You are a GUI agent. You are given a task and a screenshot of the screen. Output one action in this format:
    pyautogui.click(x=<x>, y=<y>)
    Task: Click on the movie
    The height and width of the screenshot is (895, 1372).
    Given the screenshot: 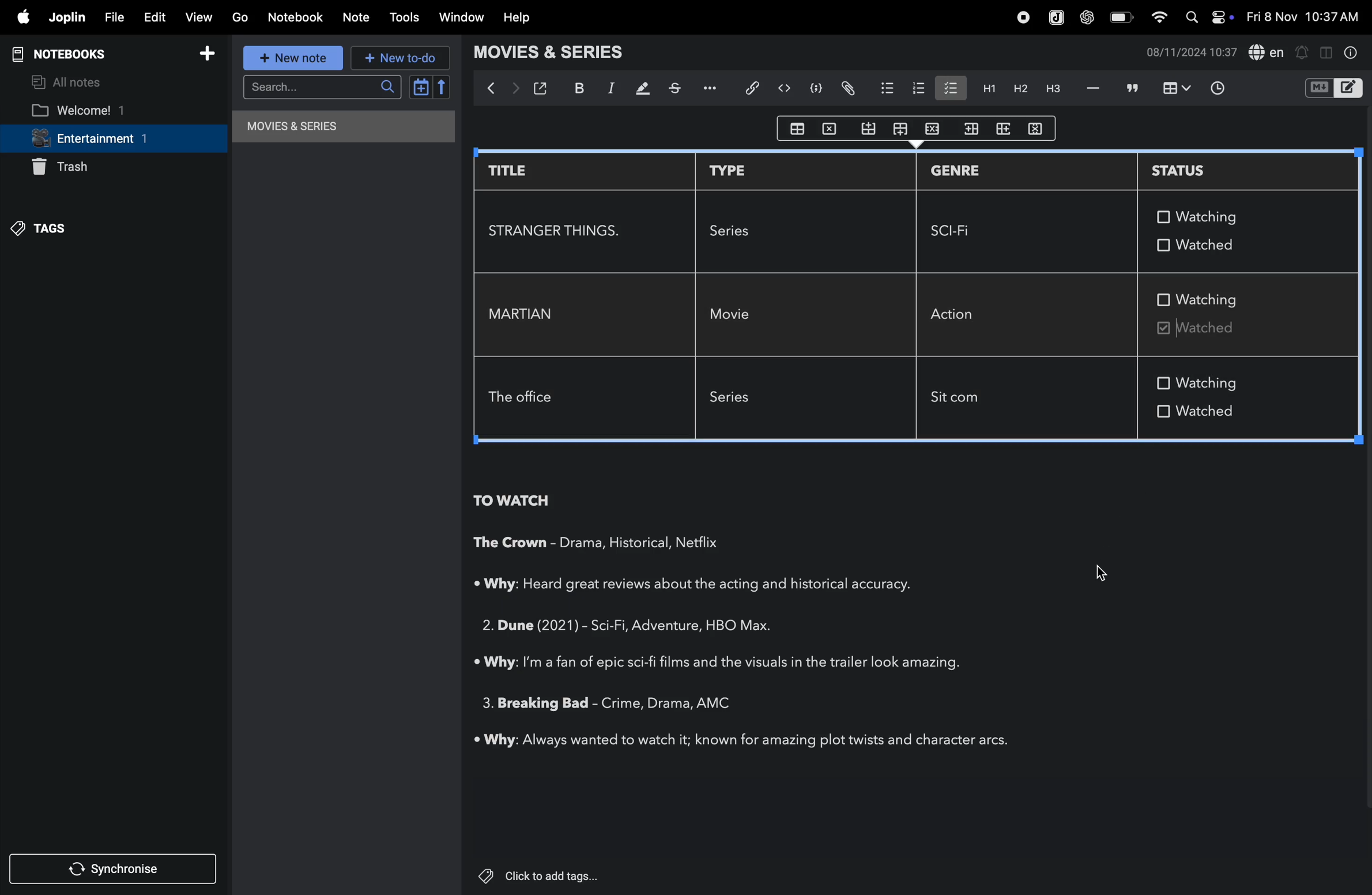 What is the action you would take?
    pyautogui.click(x=734, y=315)
    